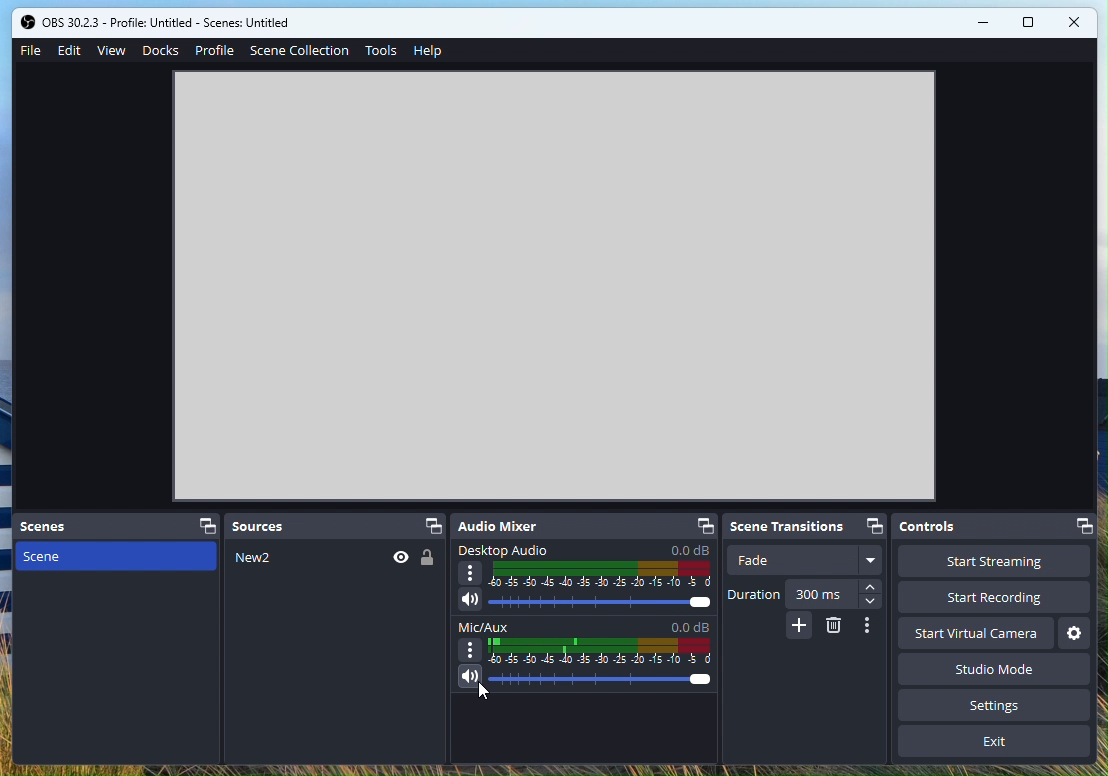  What do you see at coordinates (33, 50) in the screenshot?
I see `File` at bounding box center [33, 50].